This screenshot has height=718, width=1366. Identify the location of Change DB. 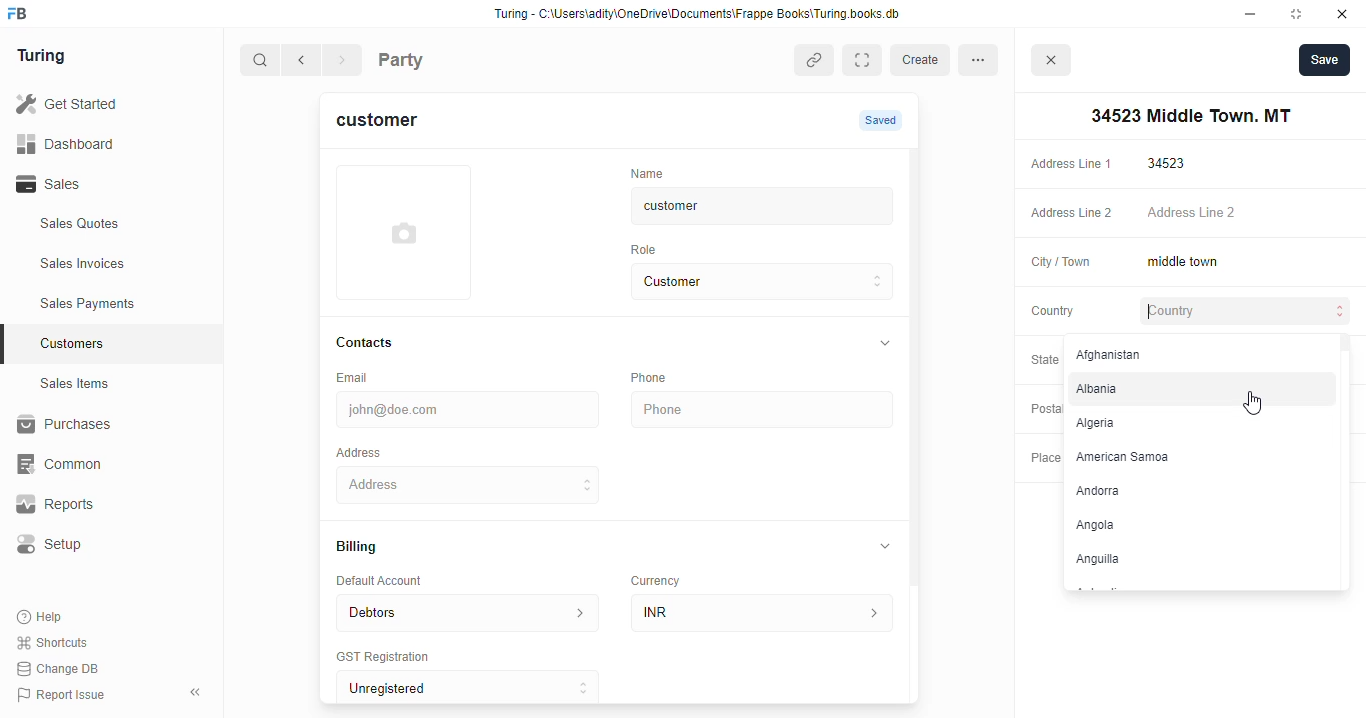
(62, 668).